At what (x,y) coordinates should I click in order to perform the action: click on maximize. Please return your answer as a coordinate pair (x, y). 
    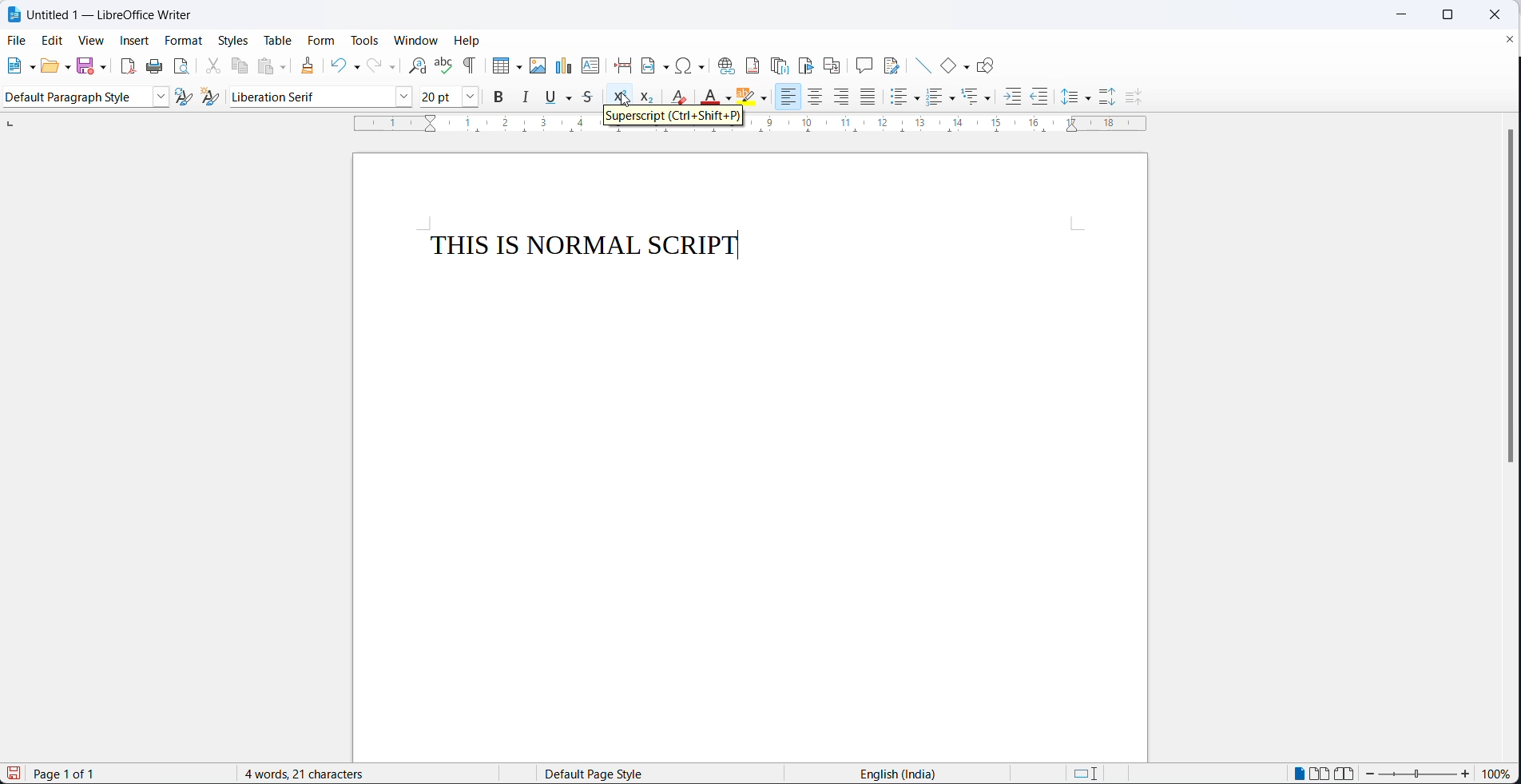
    Looking at the image, I should click on (1444, 16).